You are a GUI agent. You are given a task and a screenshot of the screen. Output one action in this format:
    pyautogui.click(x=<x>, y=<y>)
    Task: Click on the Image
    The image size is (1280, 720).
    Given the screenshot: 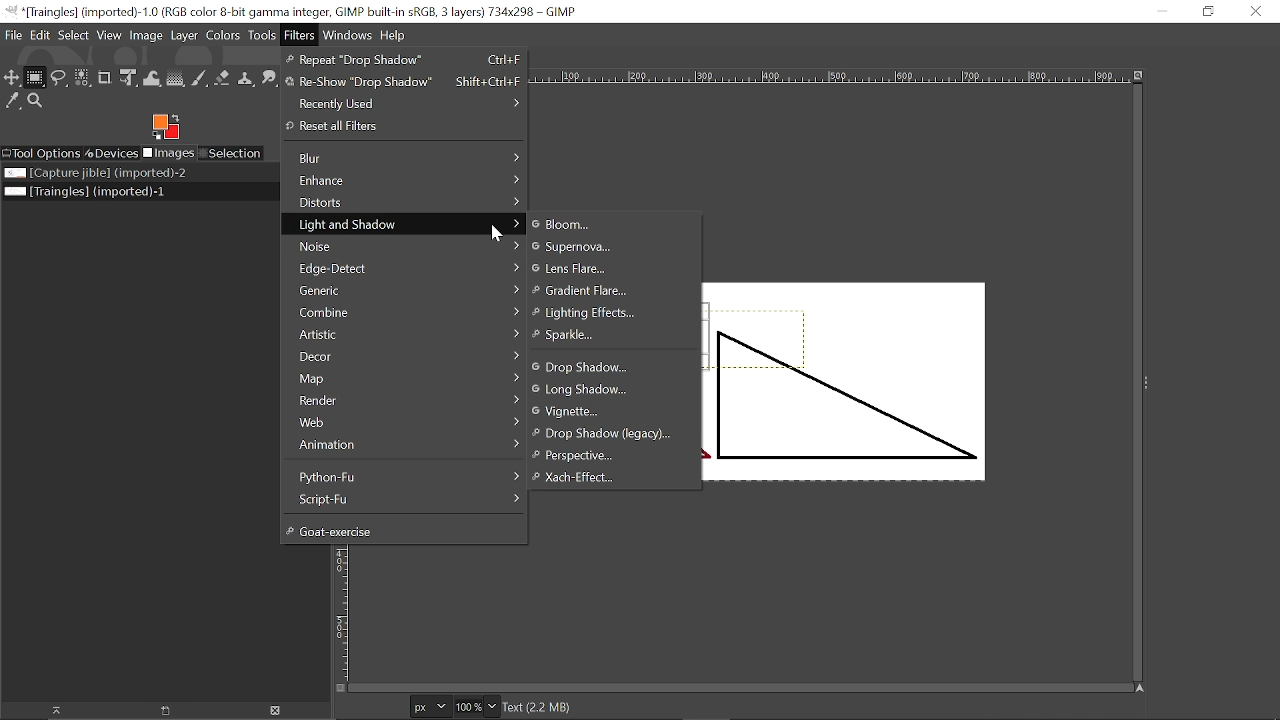 What is the action you would take?
    pyautogui.click(x=146, y=36)
    